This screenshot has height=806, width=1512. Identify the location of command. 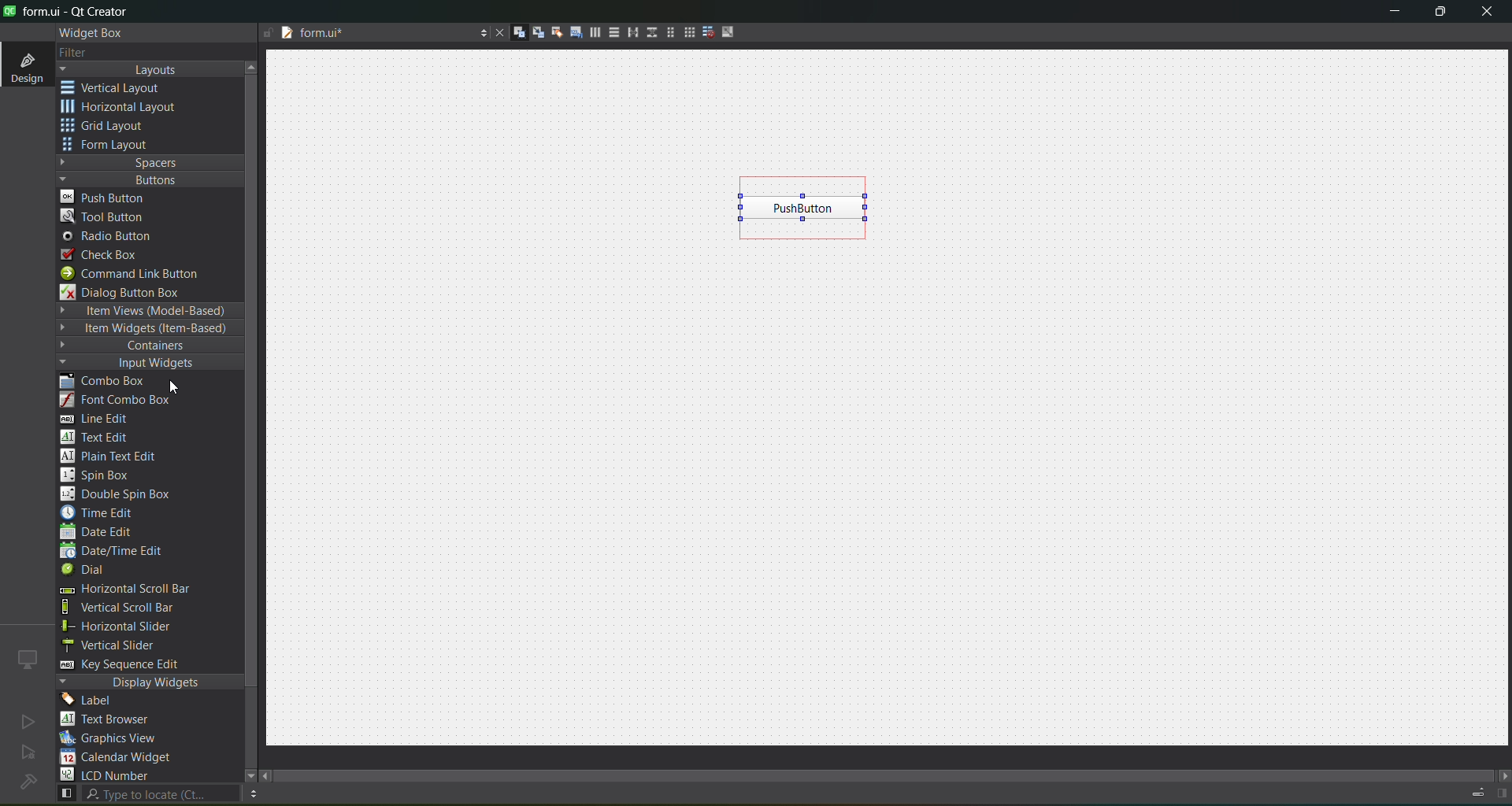
(140, 275).